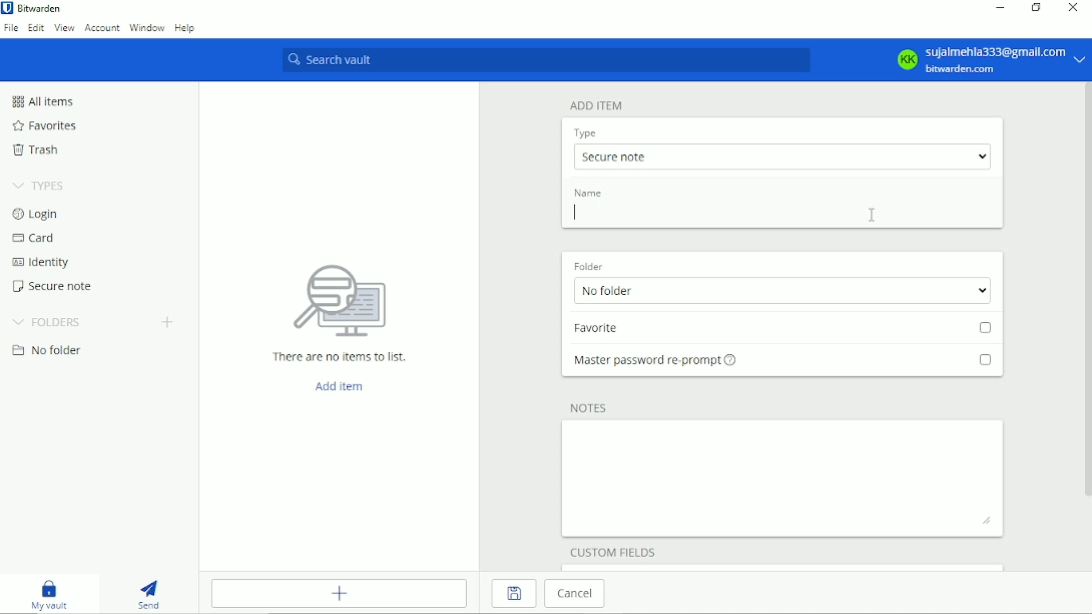 The width and height of the screenshot is (1092, 614). I want to click on Search vault, so click(544, 61).